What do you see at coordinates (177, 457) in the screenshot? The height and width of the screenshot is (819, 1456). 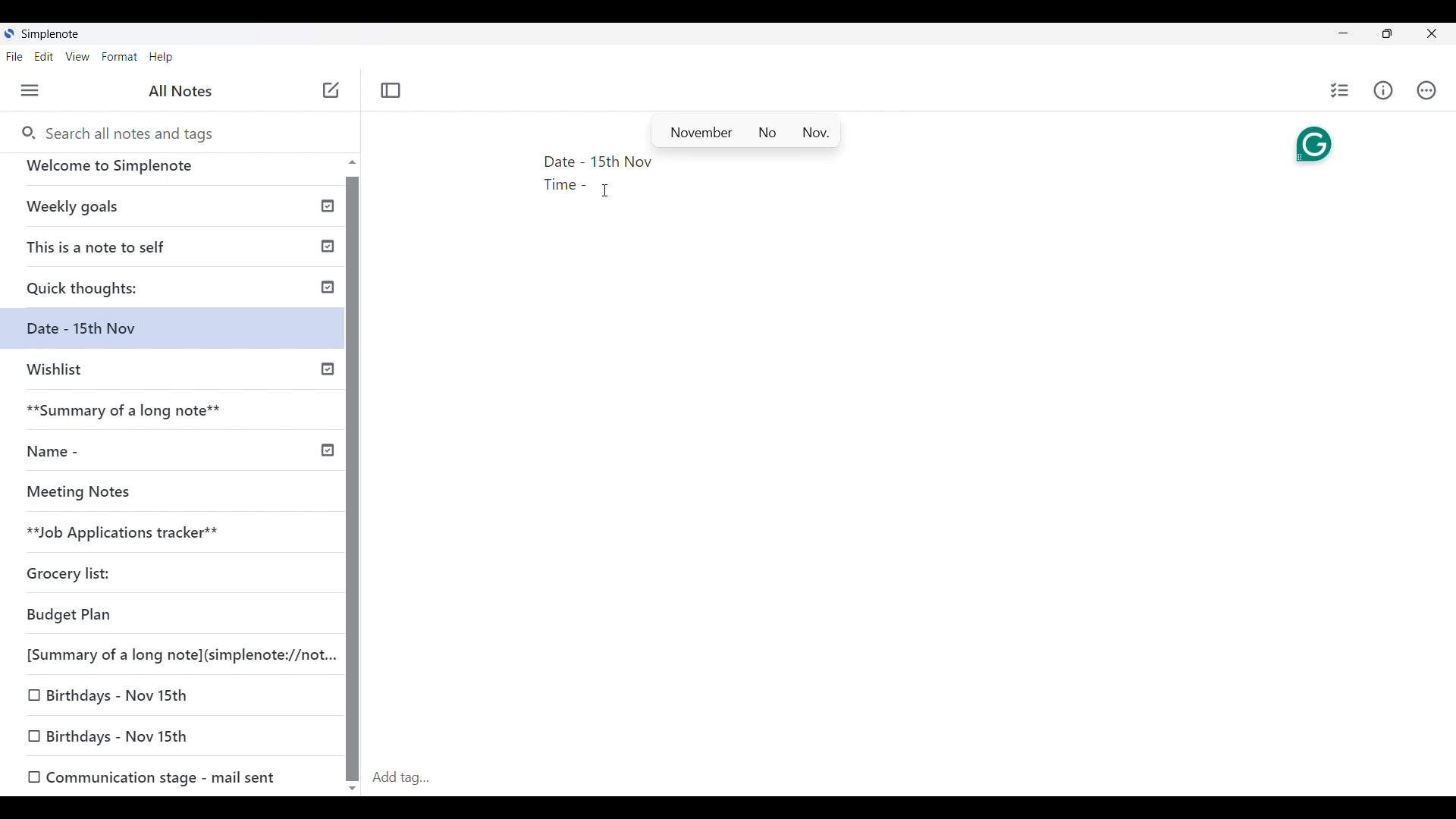 I see `Published note indicated by check icon` at bounding box center [177, 457].